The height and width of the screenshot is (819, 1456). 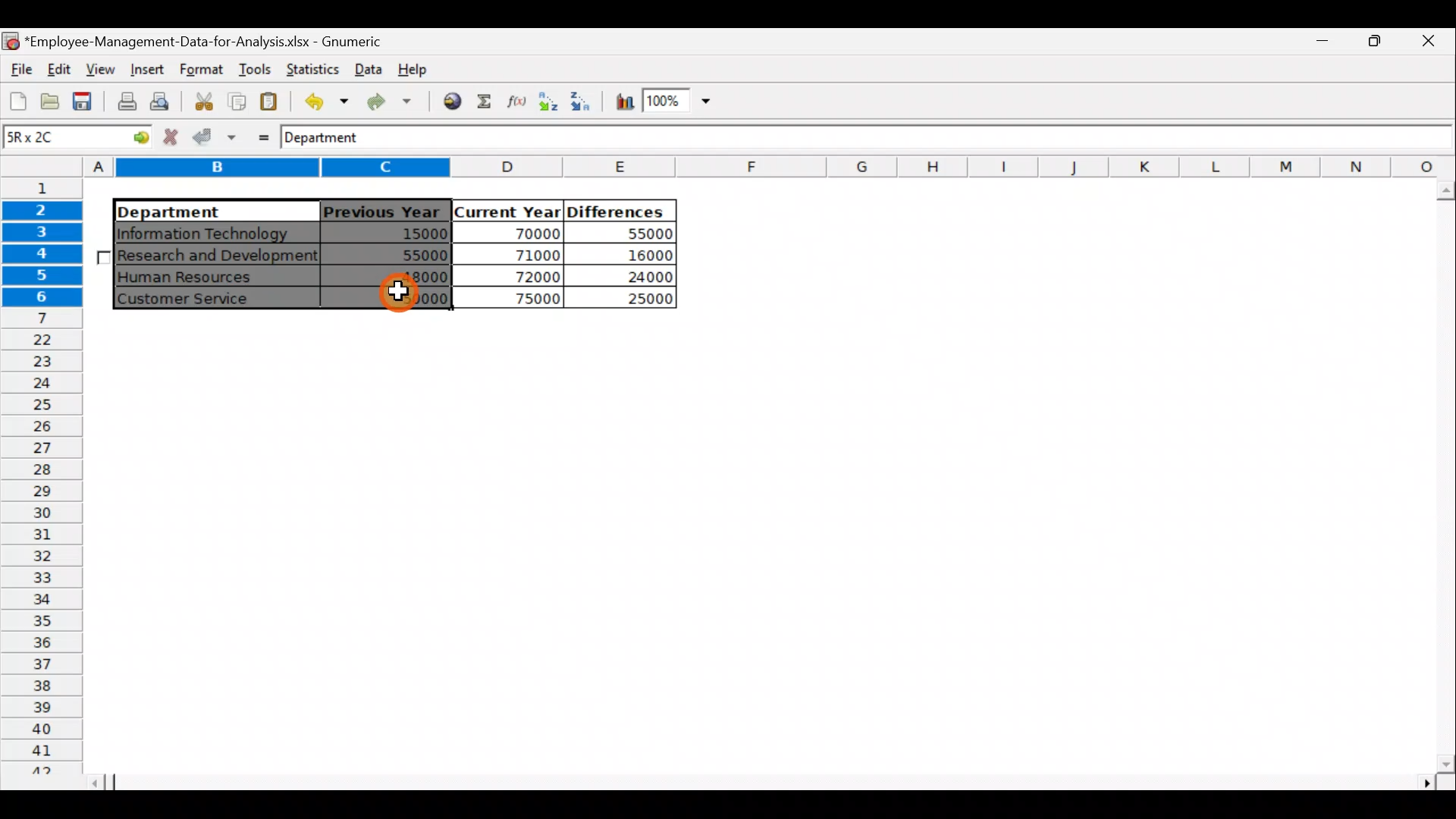 I want to click on Department, so click(x=334, y=139).